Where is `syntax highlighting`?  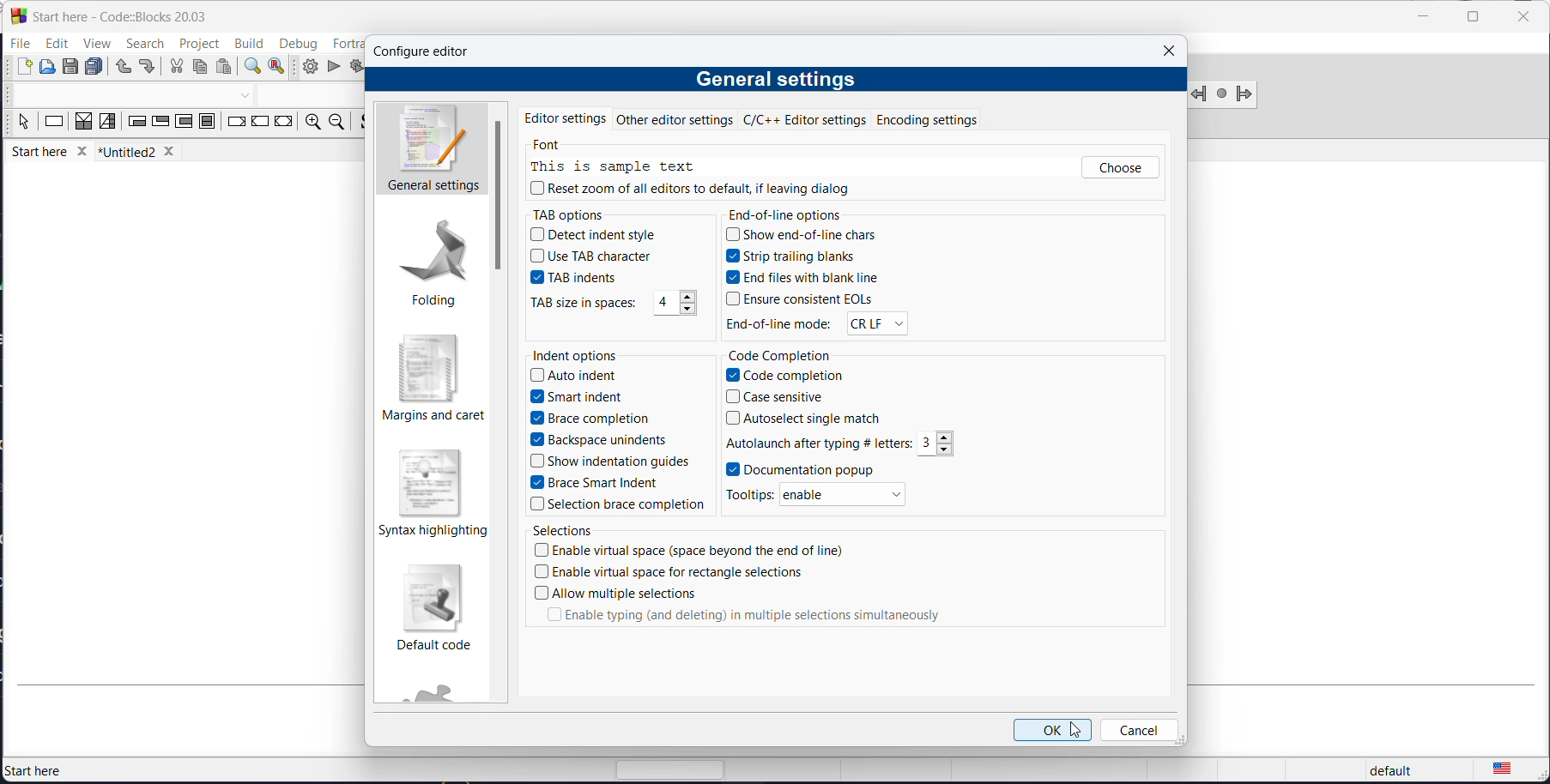
syntax highlighting is located at coordinates (433, 492).